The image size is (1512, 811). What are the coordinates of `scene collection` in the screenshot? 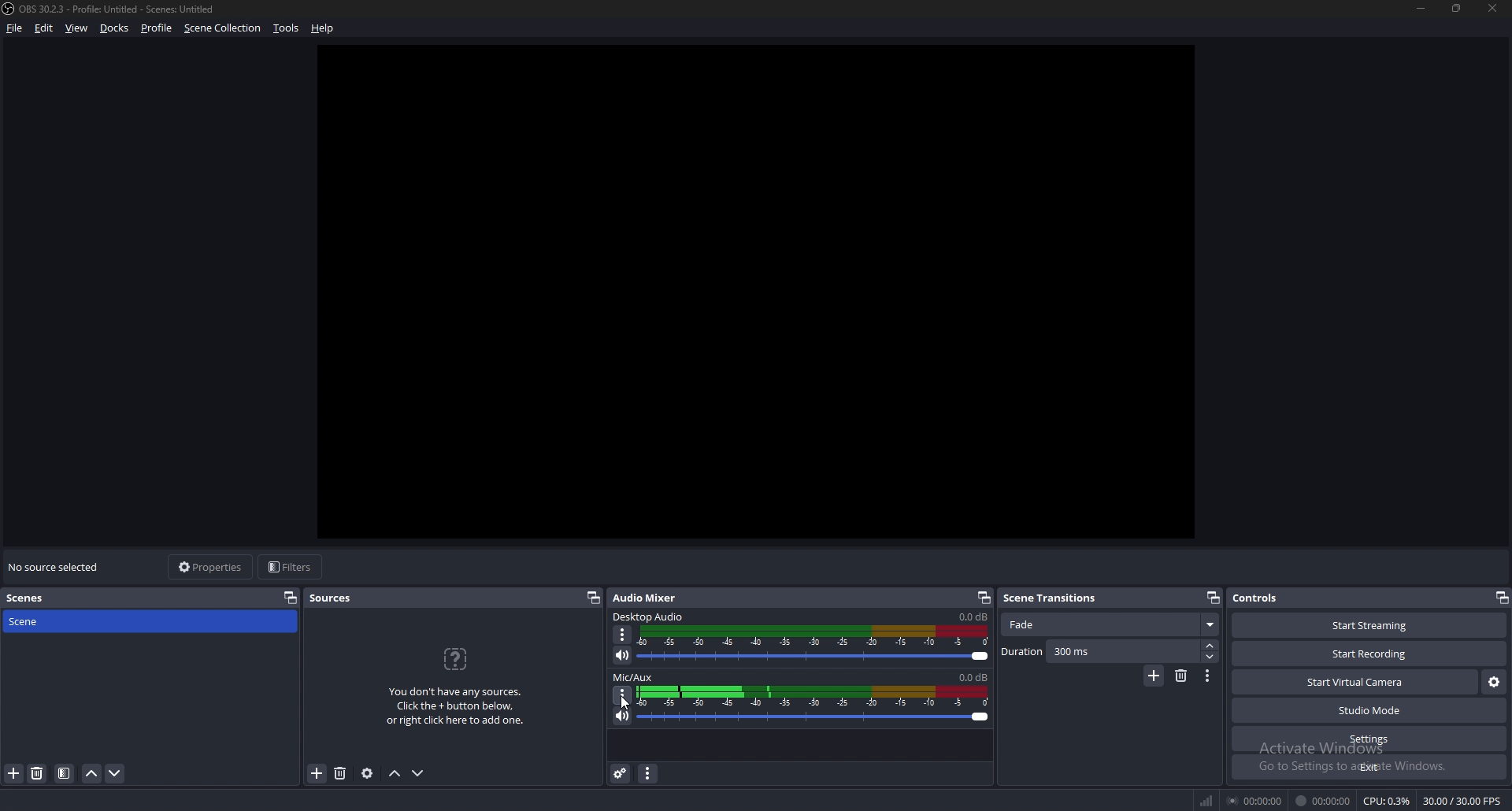 It's located at (224, 28).